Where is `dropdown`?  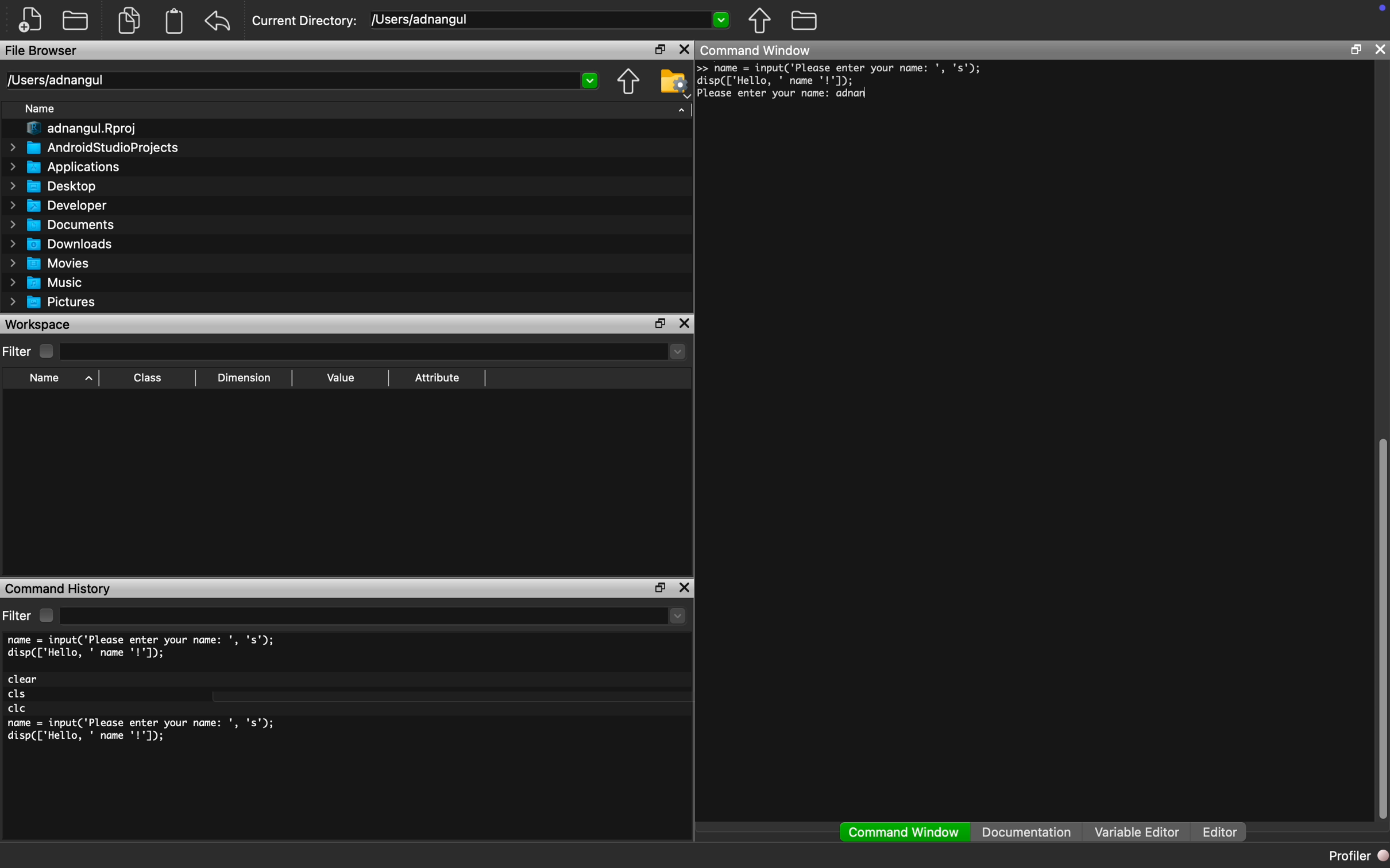
dropdown is located at coordinates (678, 616).